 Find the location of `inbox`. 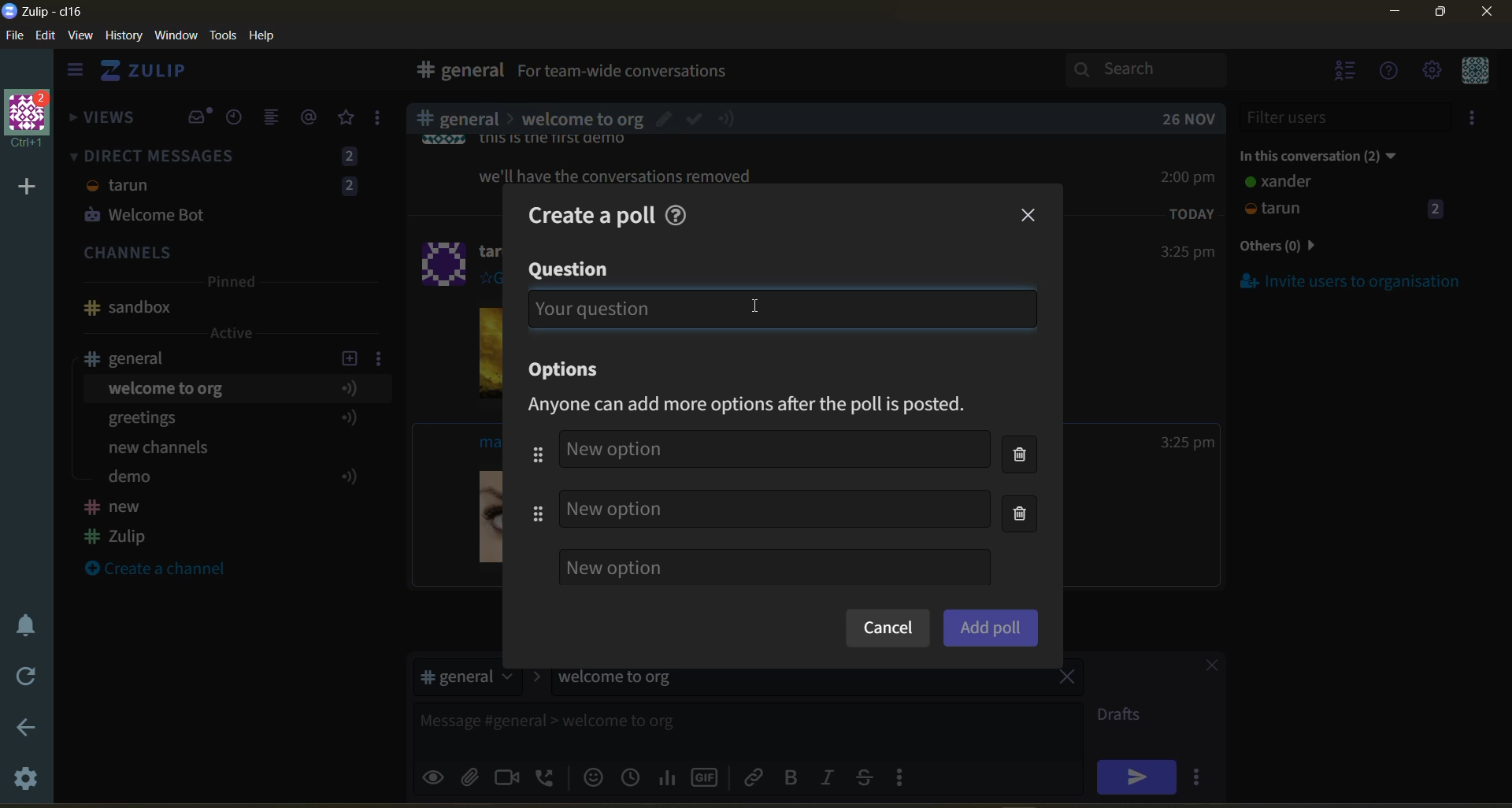

inbox is located at coordinates (199, 117).